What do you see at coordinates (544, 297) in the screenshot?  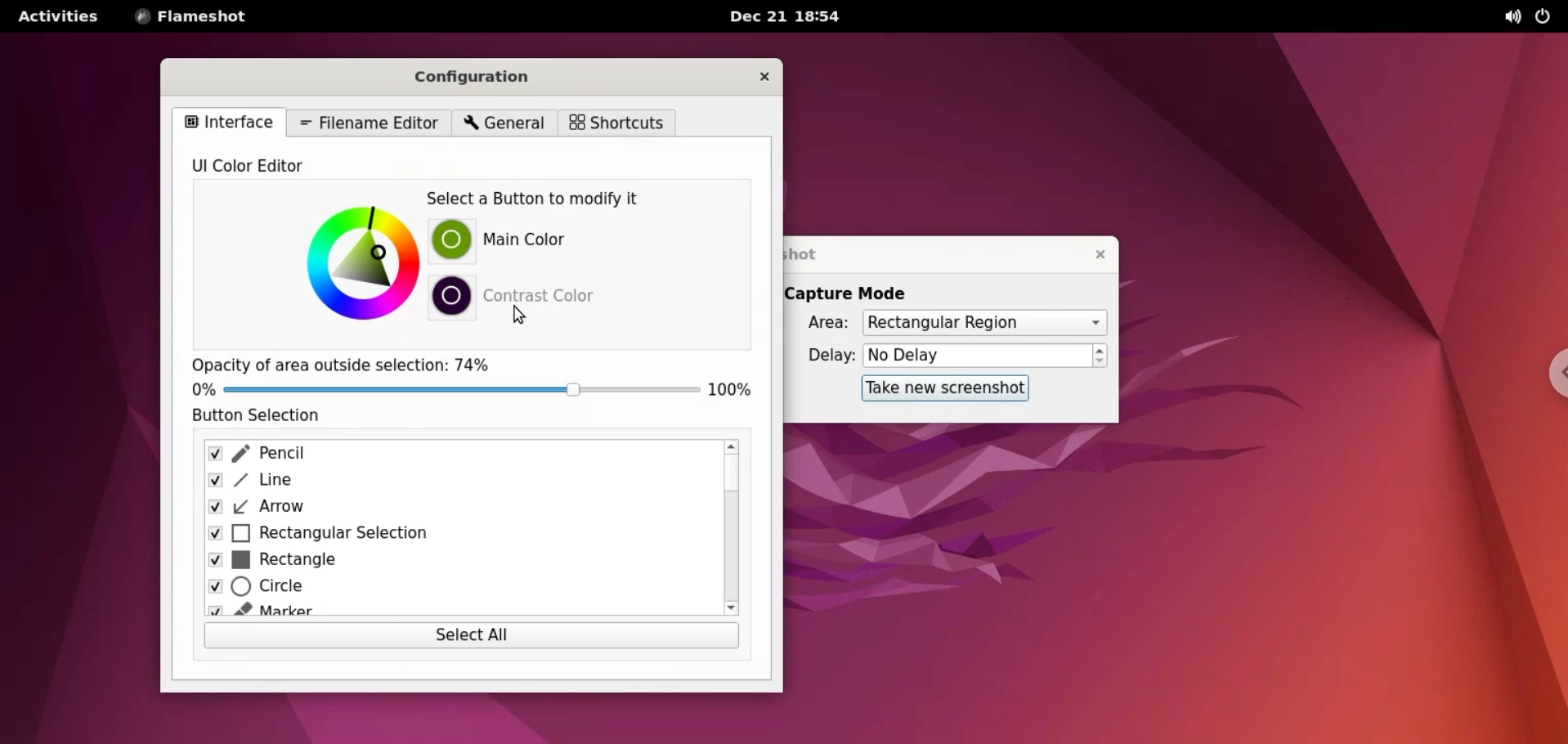 I see `contrast color` at bounding box center [544, 297].